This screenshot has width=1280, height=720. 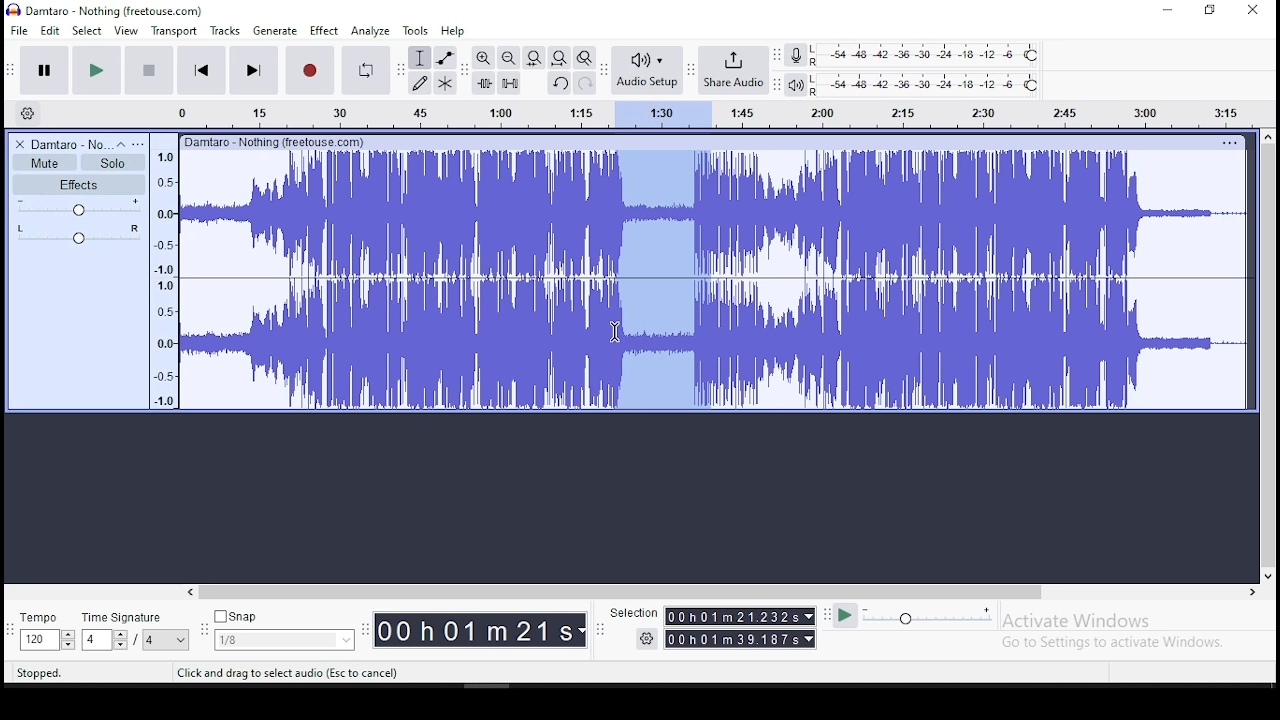 I want to click on up, so click(x=1267, y=136).